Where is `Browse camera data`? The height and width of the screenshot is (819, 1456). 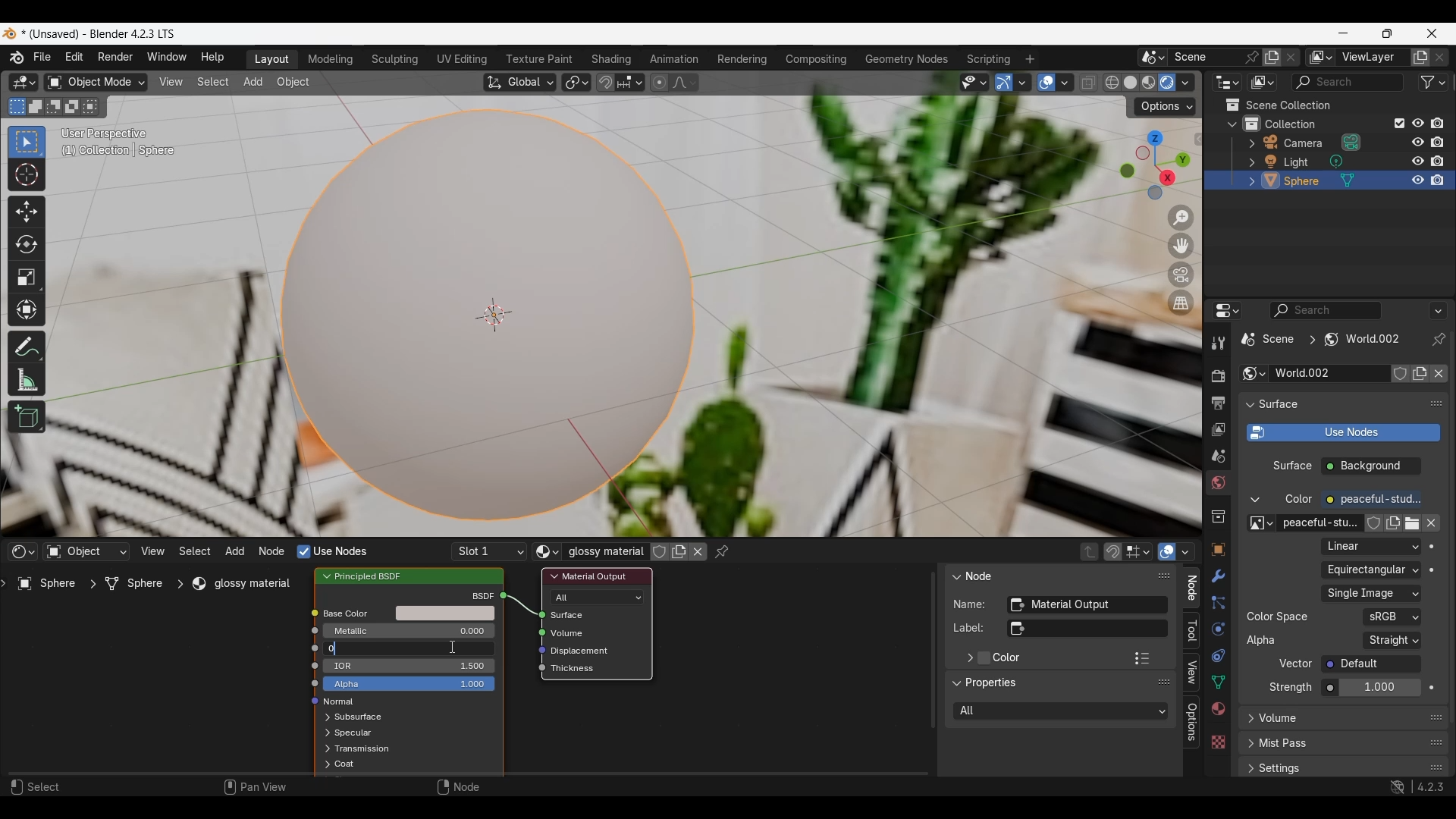
Browse camera data is located at coordinates (1351, 142).